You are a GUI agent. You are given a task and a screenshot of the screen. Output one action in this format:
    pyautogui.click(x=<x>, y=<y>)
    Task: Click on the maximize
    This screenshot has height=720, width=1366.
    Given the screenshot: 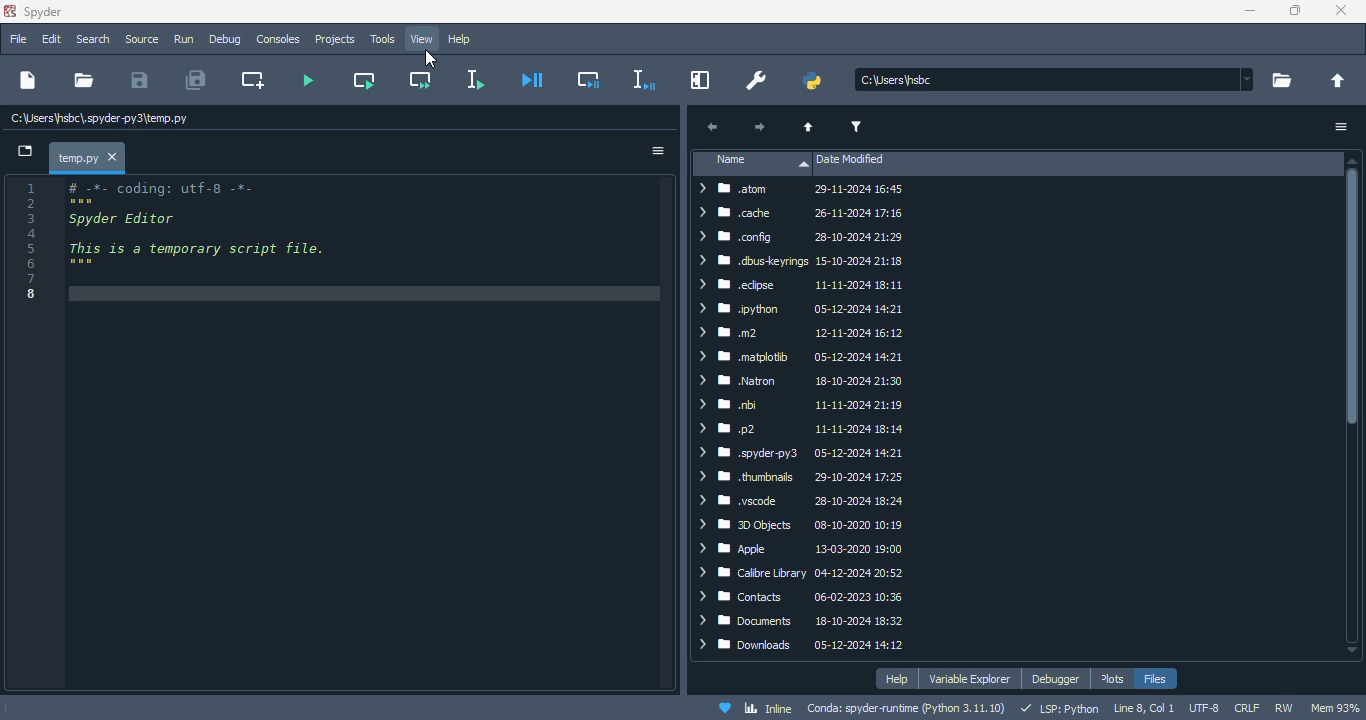 What is the action you would take?
    pyautogui.click(x=1294, y=10)
    